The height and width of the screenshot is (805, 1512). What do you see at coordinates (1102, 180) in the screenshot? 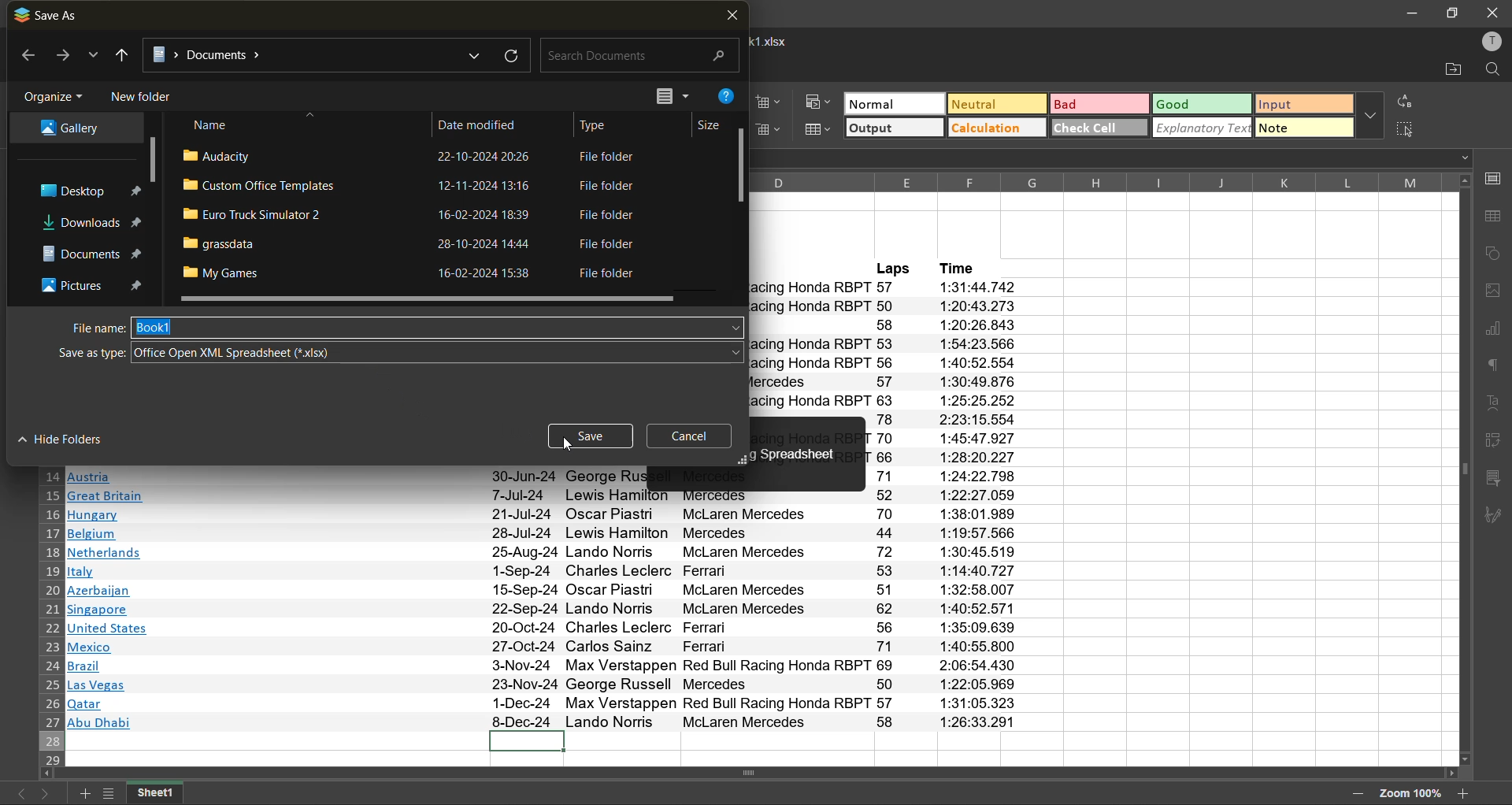
I see `column names` at bounding box center [1102, 180].